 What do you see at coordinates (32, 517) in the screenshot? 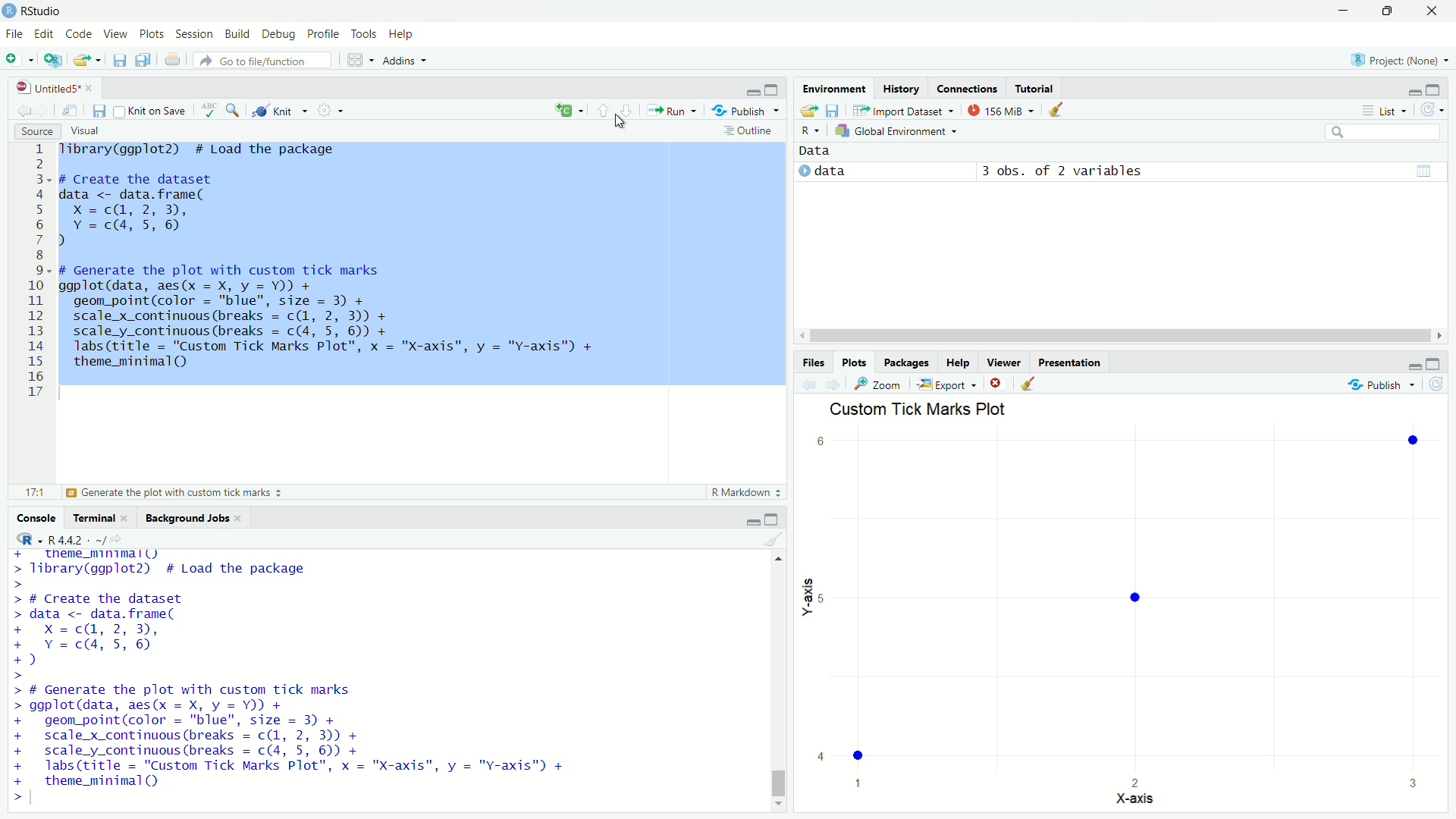
I see `console` at bounding box center [32, 517].